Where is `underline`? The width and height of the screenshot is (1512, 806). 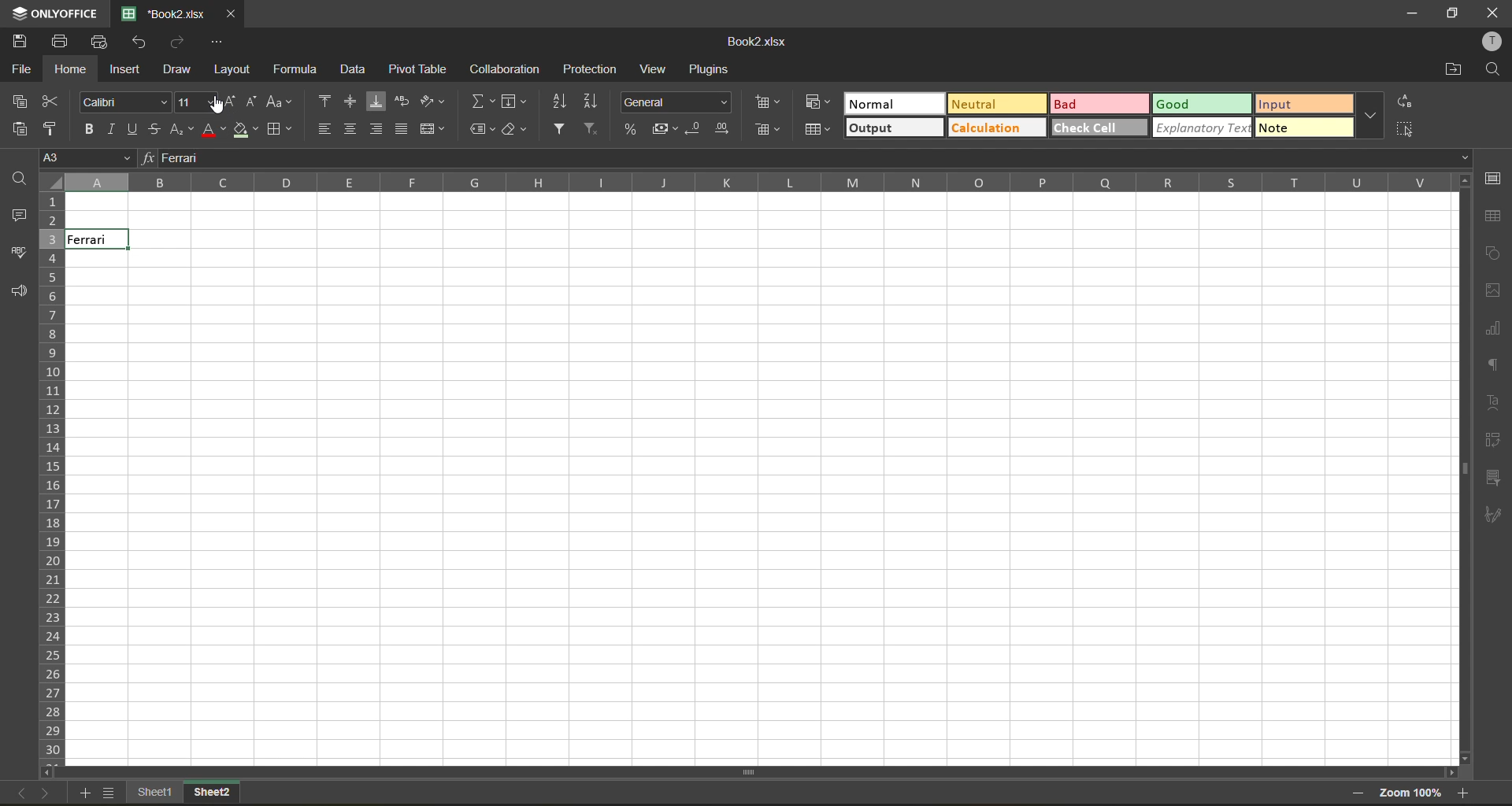
underline is located at coordinates (132, 130).